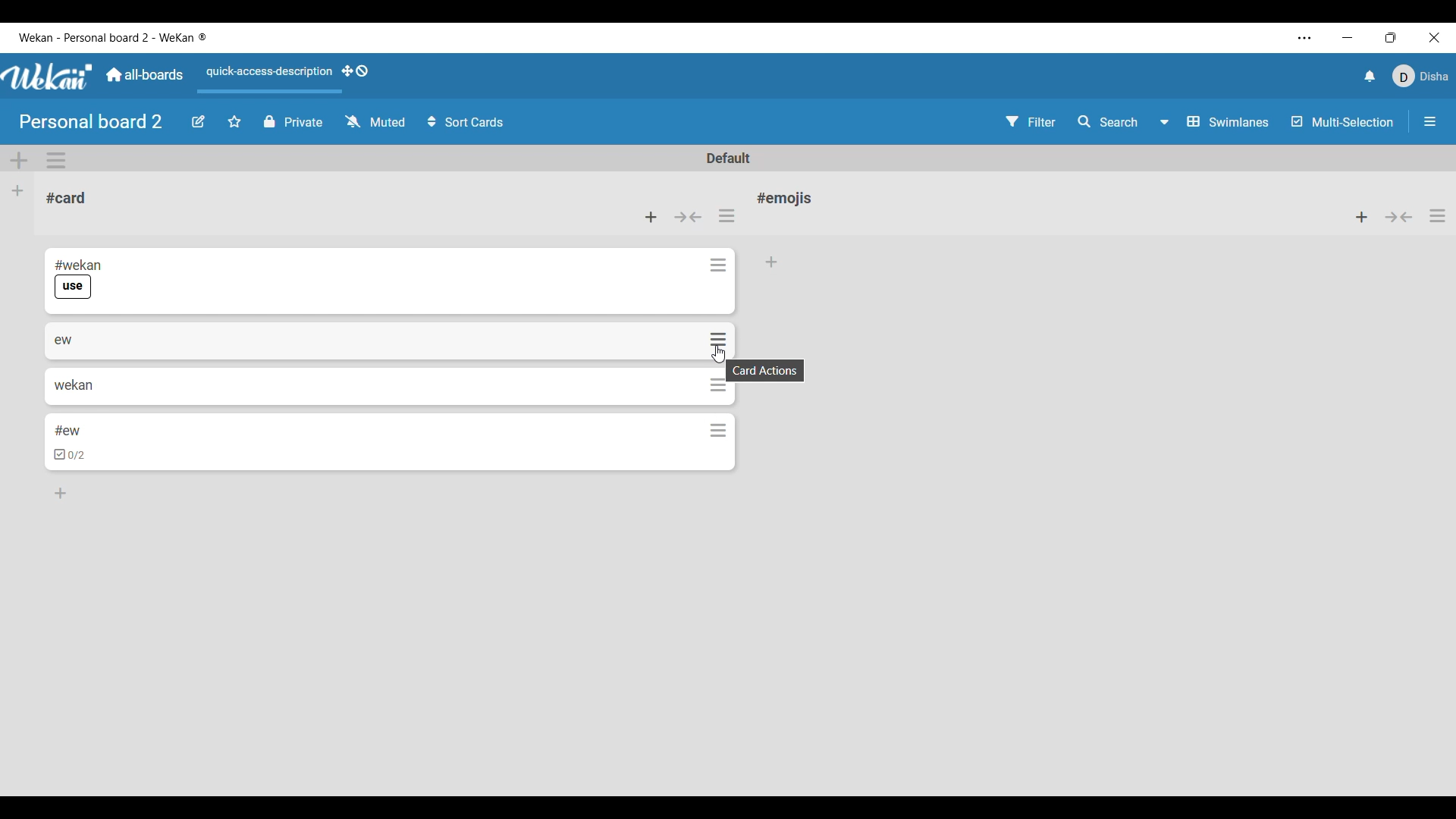 This screenshot has width=1456, height=819. What do you see at coordinates (1213, 121) in the screenshot?
I see `Swimlanes and other board view options` at bounding box center [1213, 121].